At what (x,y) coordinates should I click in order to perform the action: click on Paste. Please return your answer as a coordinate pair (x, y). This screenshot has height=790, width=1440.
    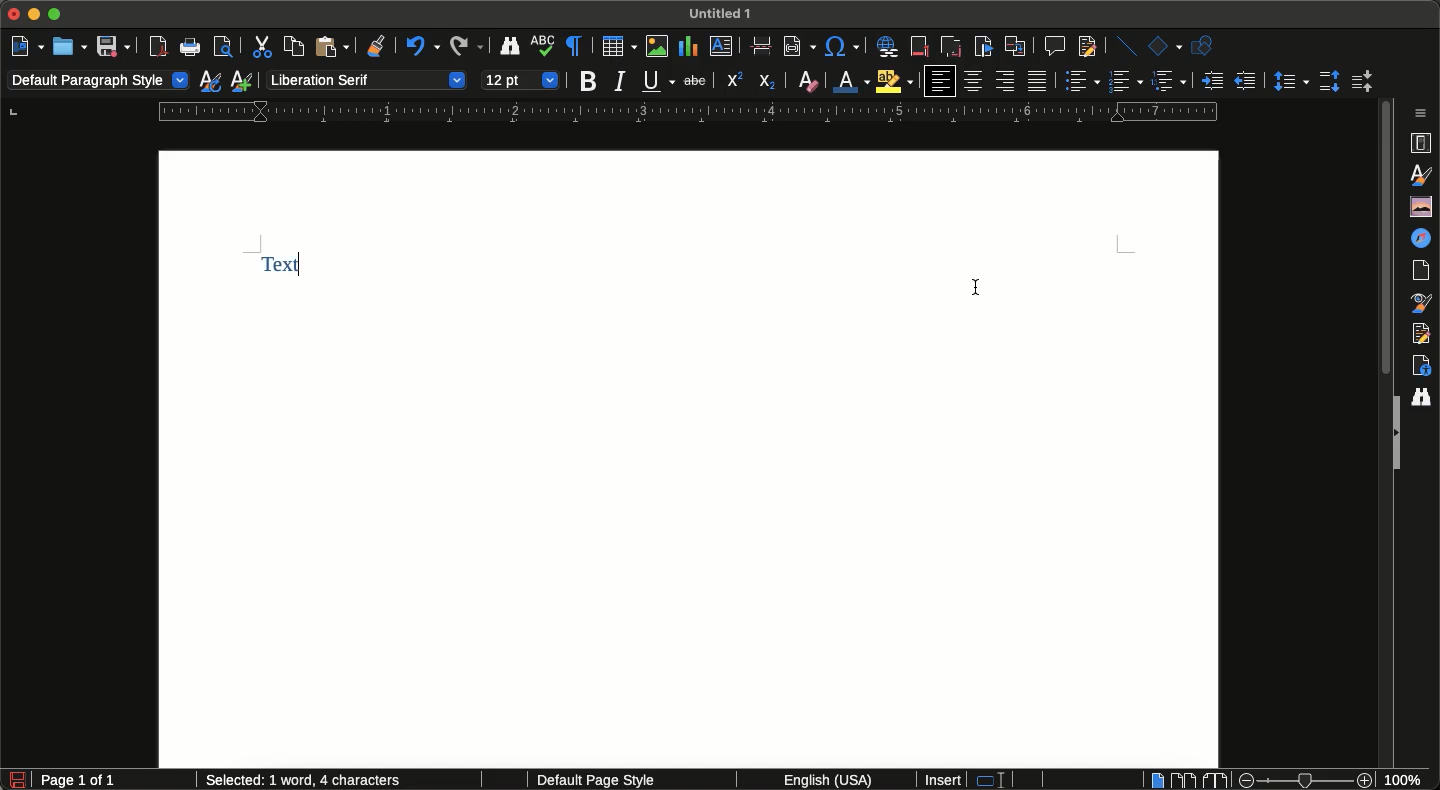
    Looking at the image, I should click on (331, 47).